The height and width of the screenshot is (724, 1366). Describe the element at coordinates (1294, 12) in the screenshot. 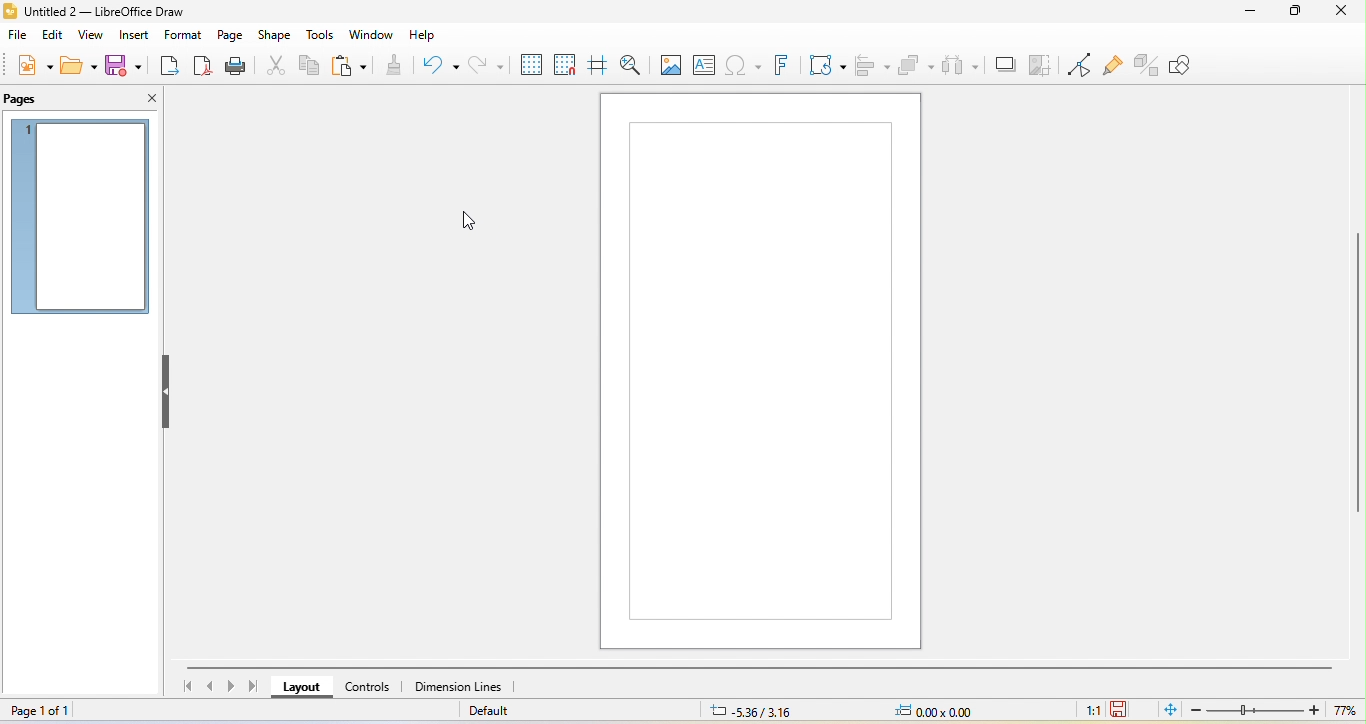

I see `maximize` at that location.